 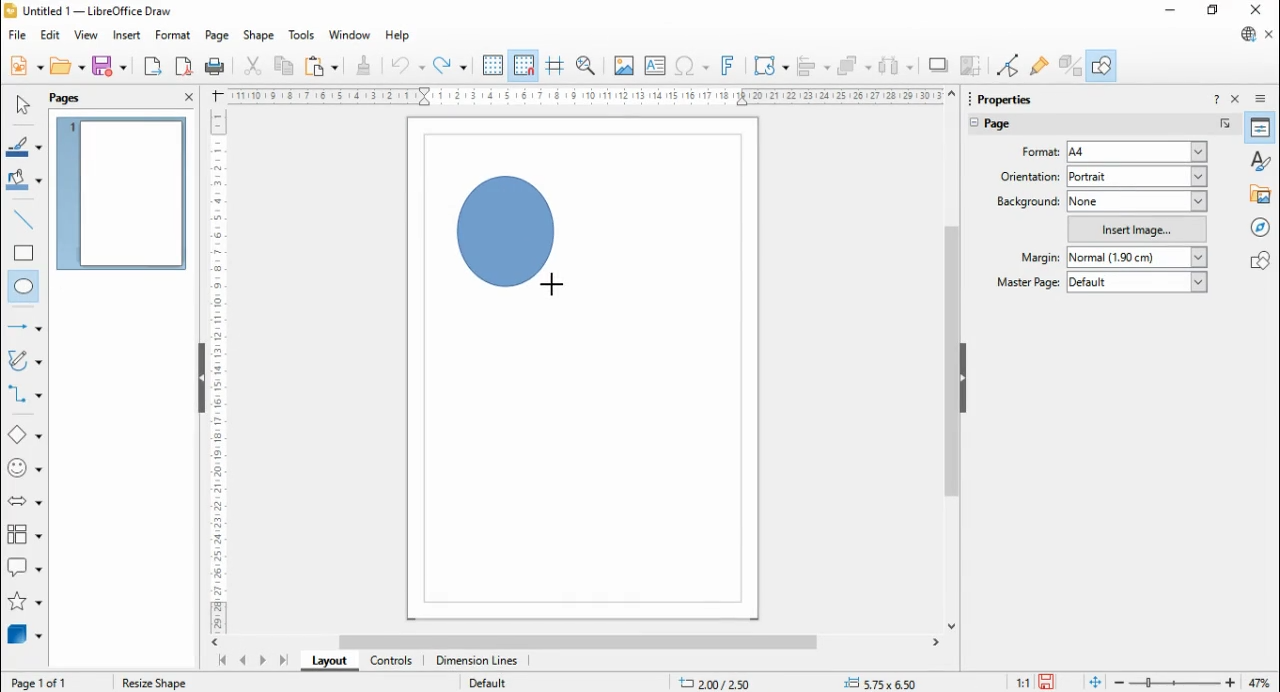 I want to click on fir page to current window, so click(x=1095, y=682).